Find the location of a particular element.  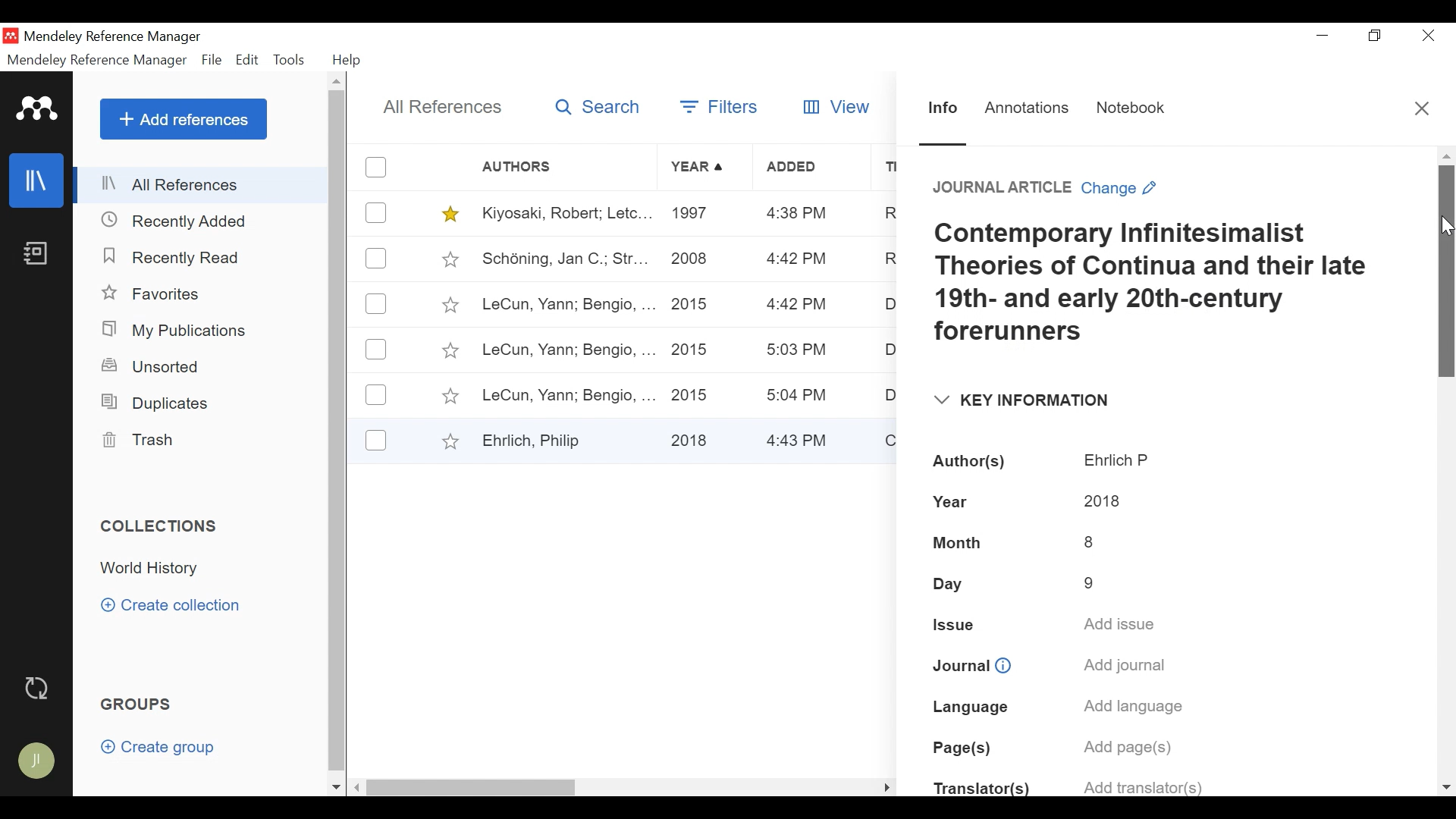

information is located at coordinates (1007, 663).